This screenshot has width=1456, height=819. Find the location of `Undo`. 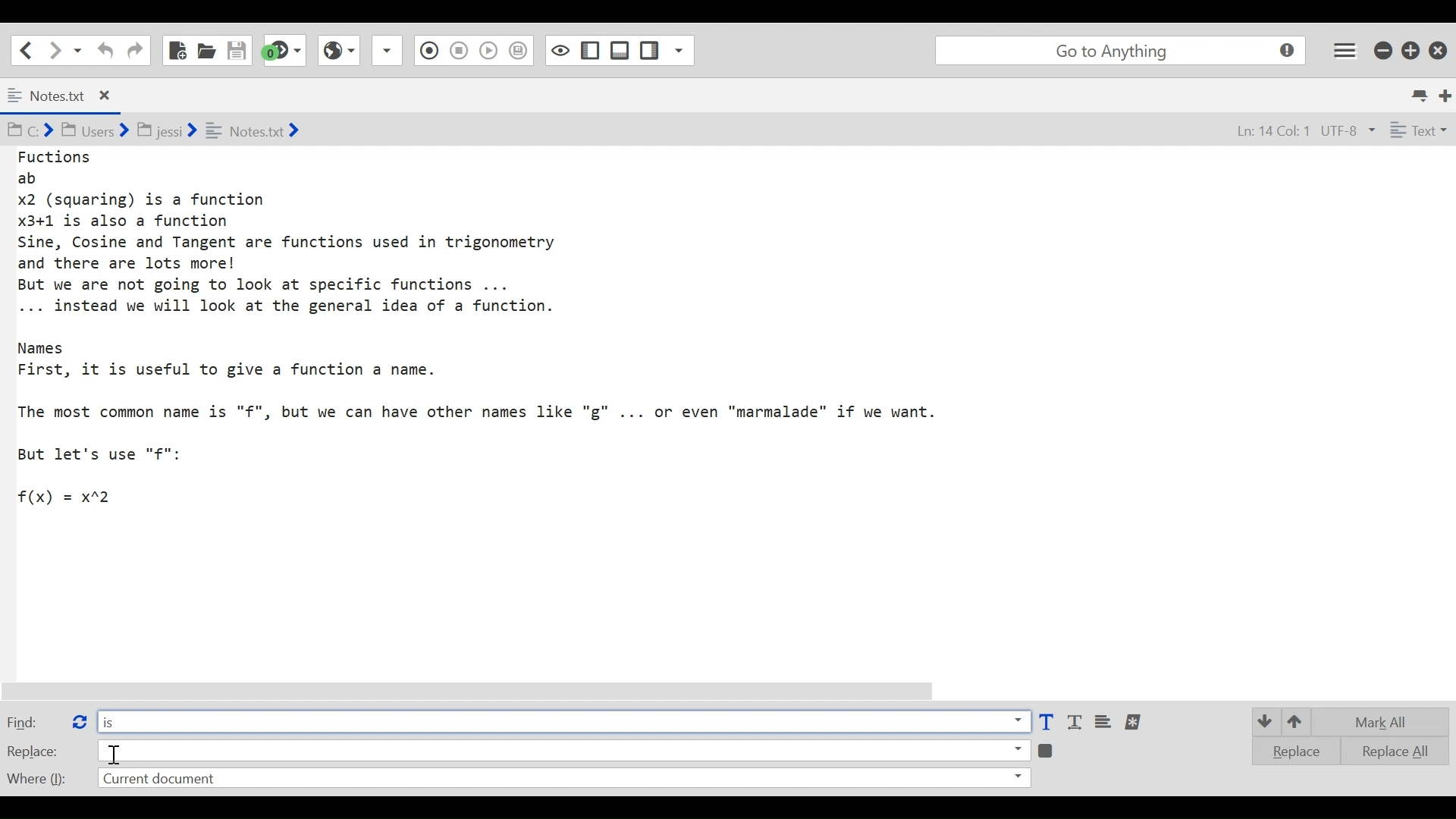

Undo is located at coordinates (103, 50).